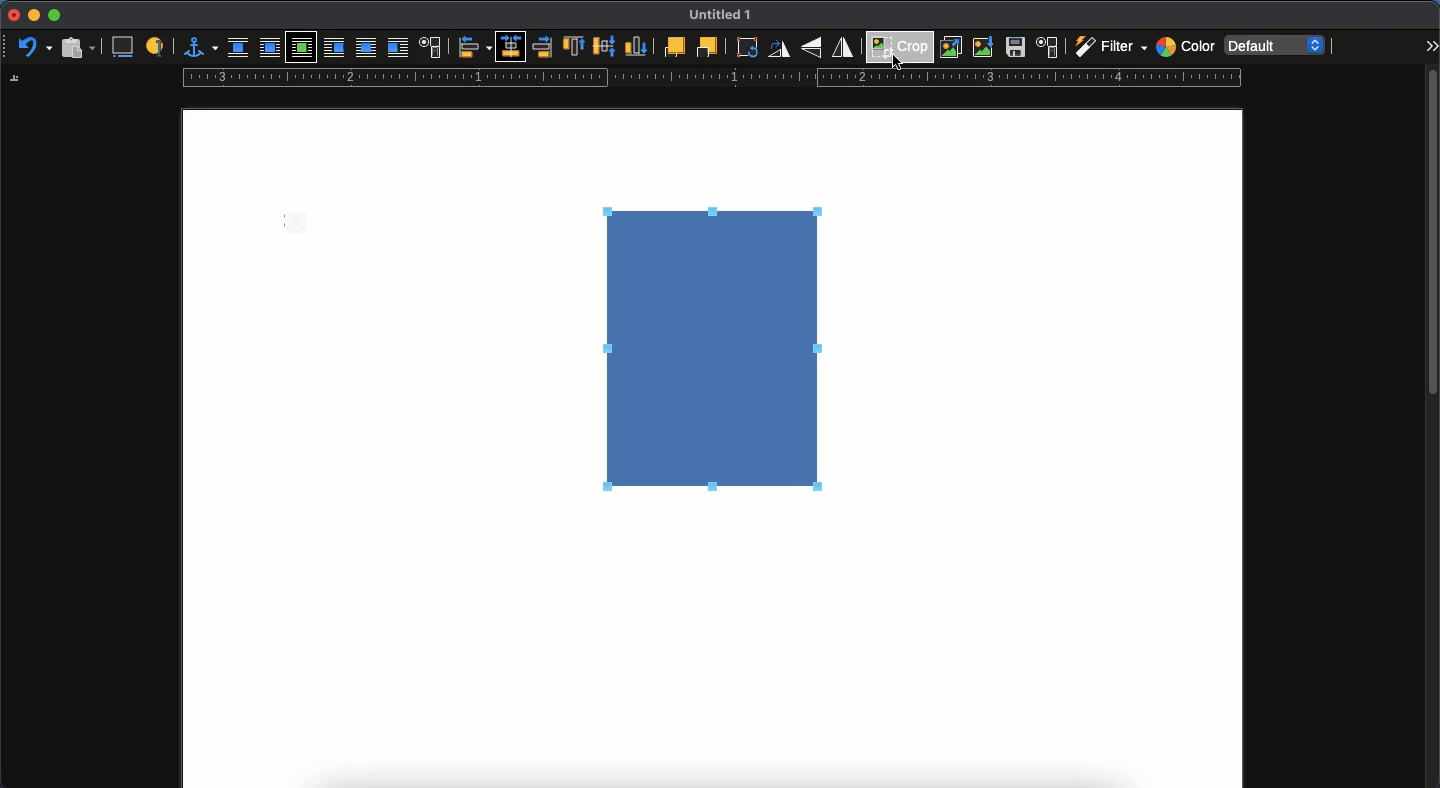 The height and width of the screenshot is (788, 1440). I want to click on to back, so click(707, 46).